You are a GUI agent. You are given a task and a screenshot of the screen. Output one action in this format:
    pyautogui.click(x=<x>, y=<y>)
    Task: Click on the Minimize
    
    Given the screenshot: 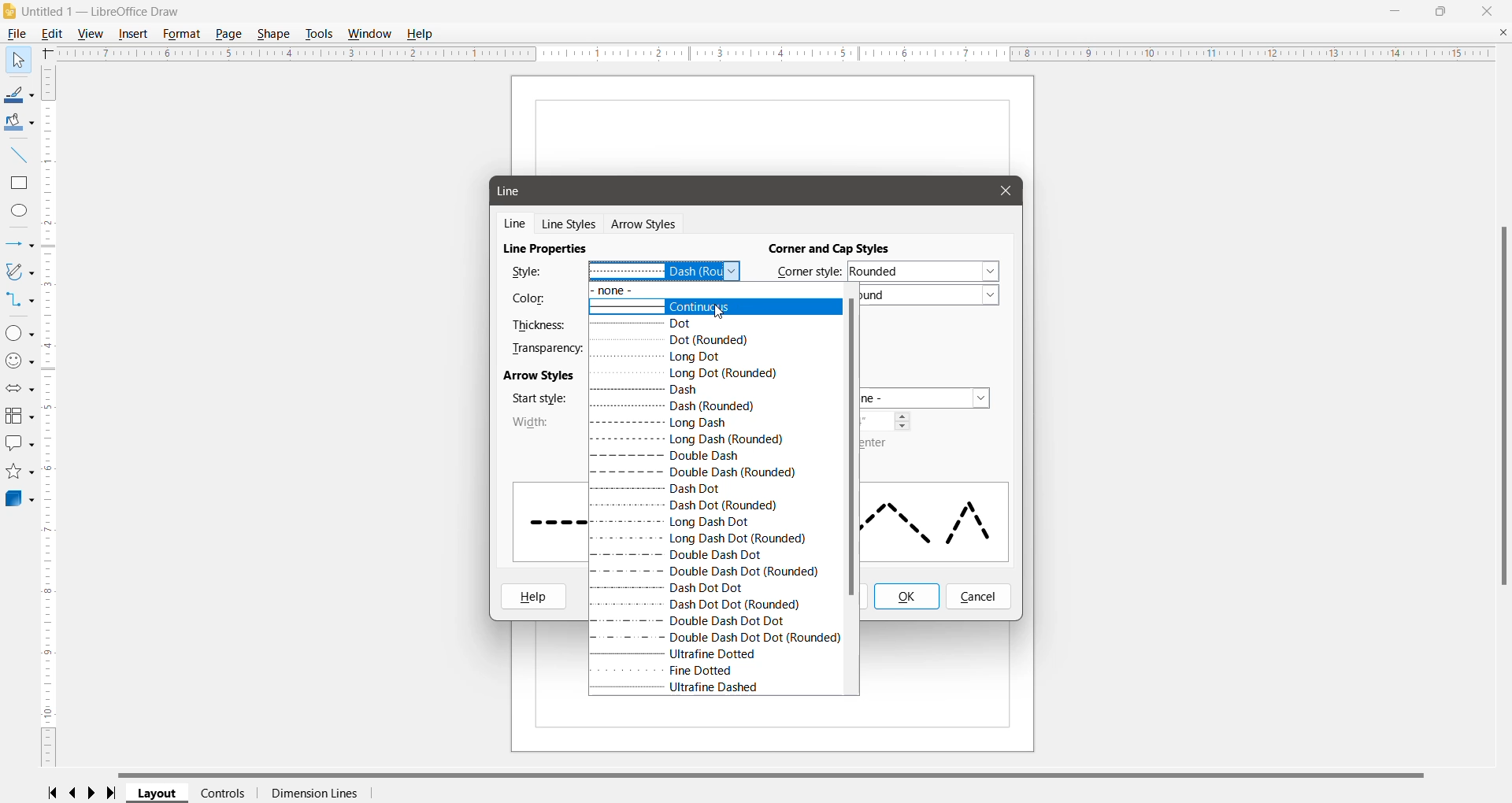 What is the action you would take?
    pyautogui.click(x=1395, y=10)
    